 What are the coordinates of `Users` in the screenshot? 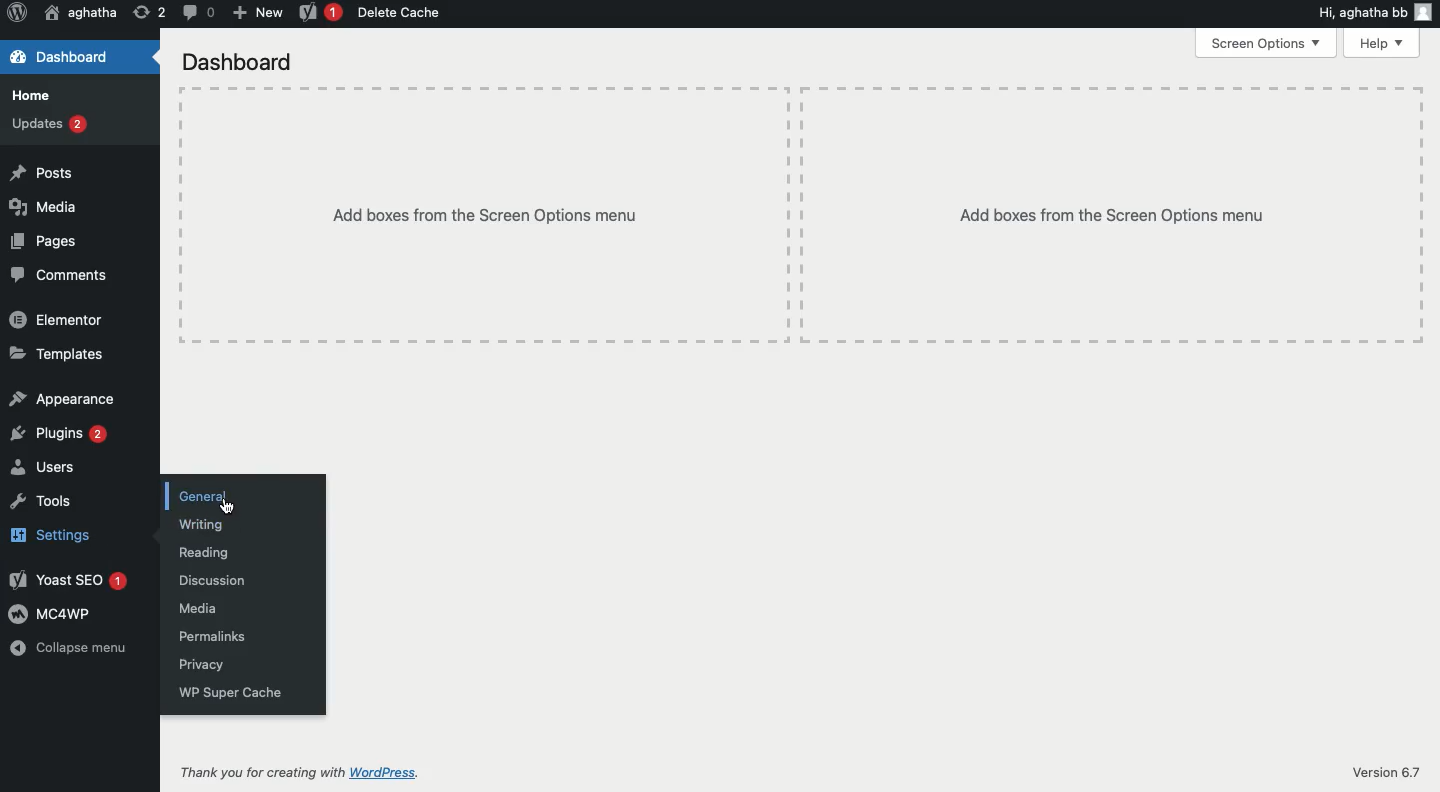 It's located at (45, 467).